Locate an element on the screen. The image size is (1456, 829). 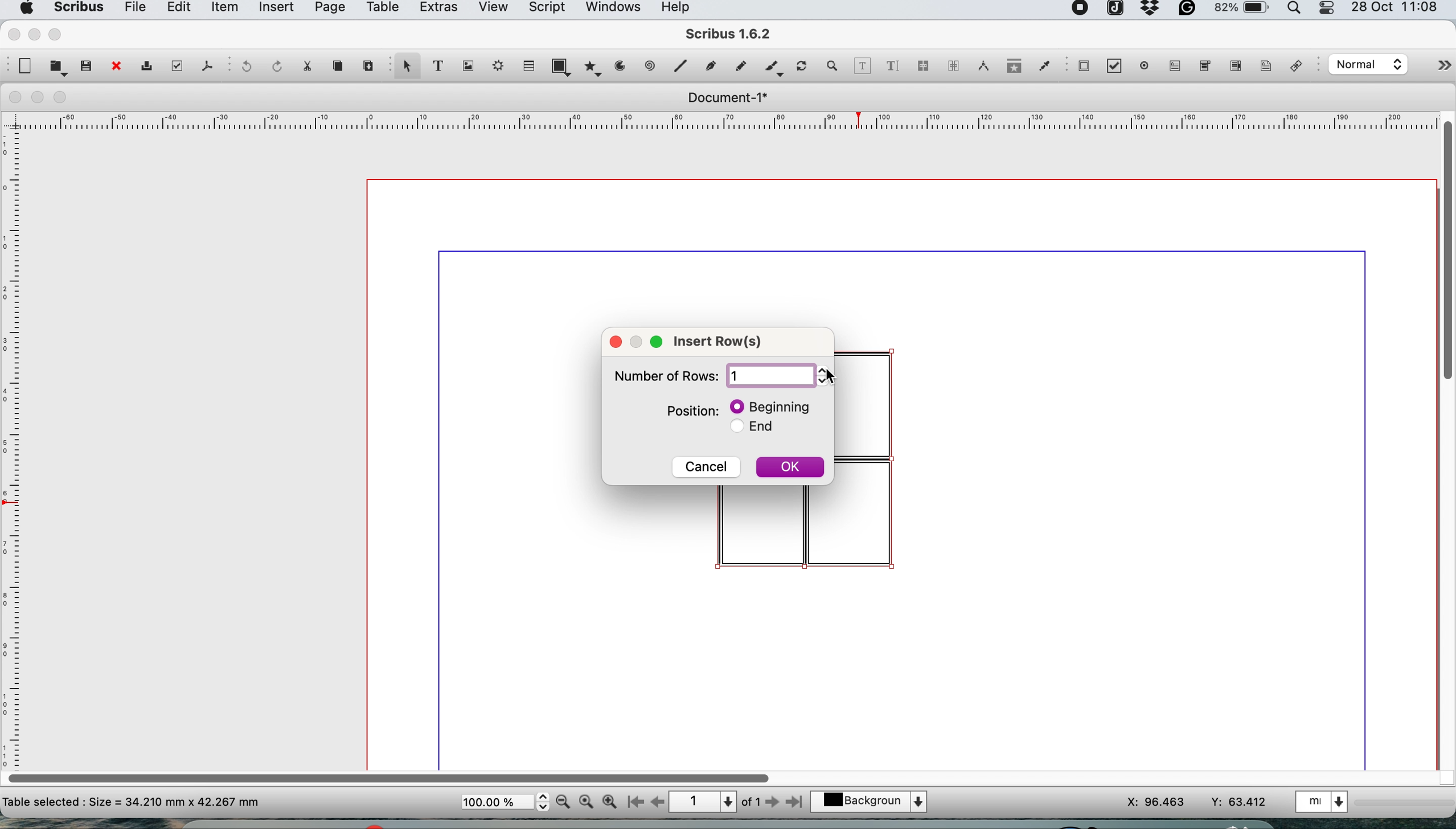
cancel is located at coordinates (707, 465).